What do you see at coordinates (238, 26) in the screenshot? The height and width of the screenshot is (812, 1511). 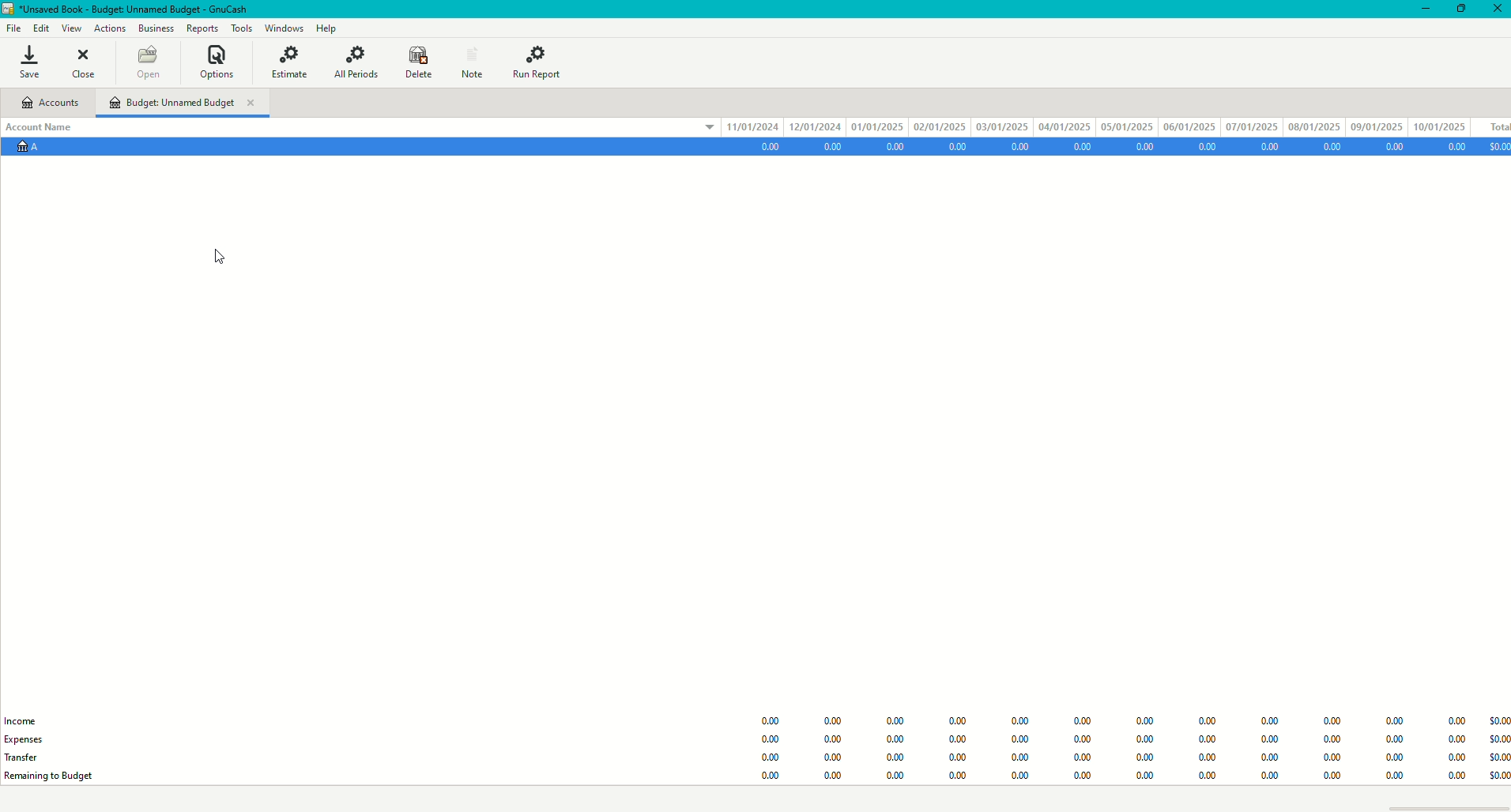 I see `Tools` at bounding box center [238, 26].